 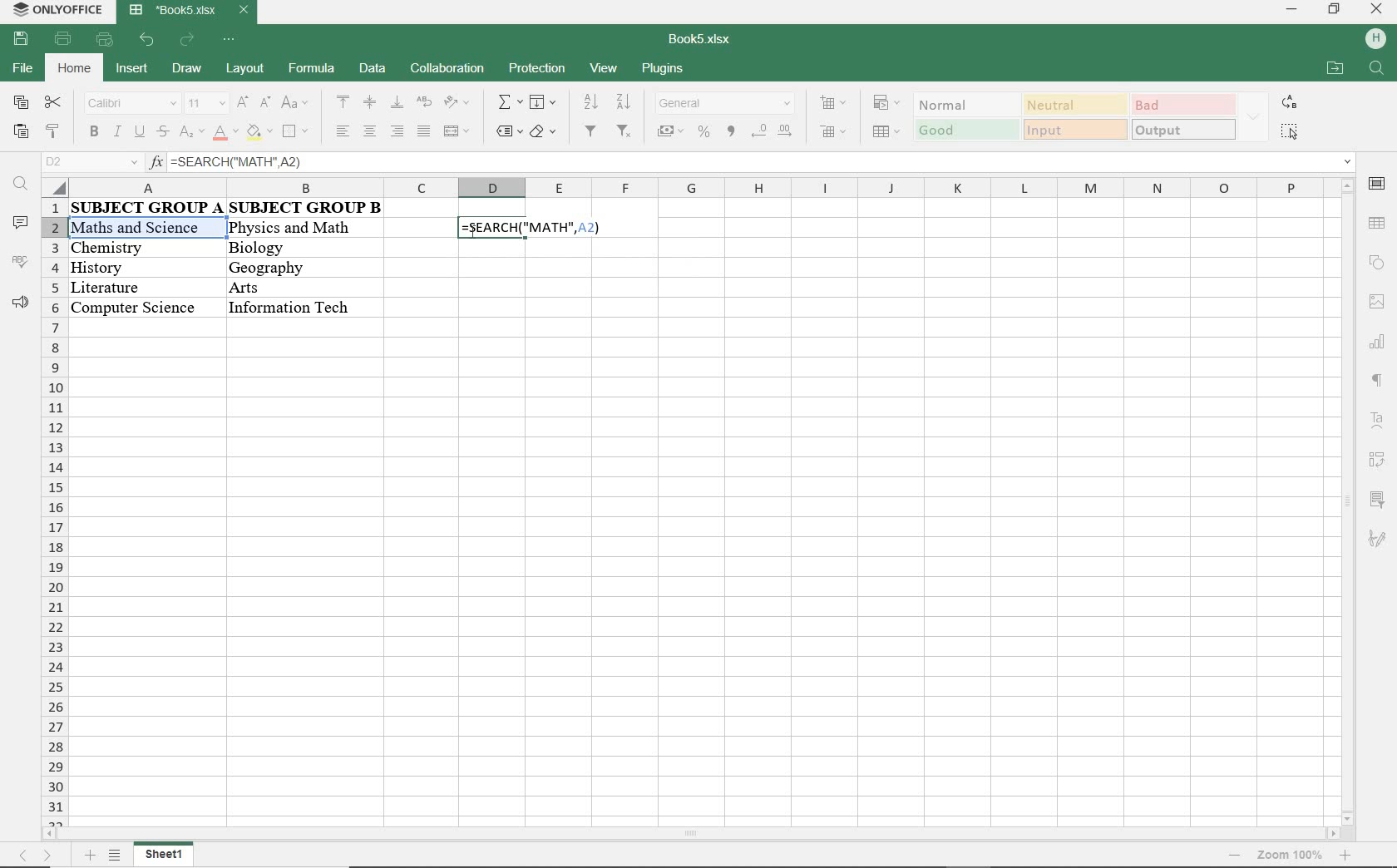 What do you see at coordinates (1074, 105) in the screenshot?
I see `neutral` at bounding box center [1074, 105].